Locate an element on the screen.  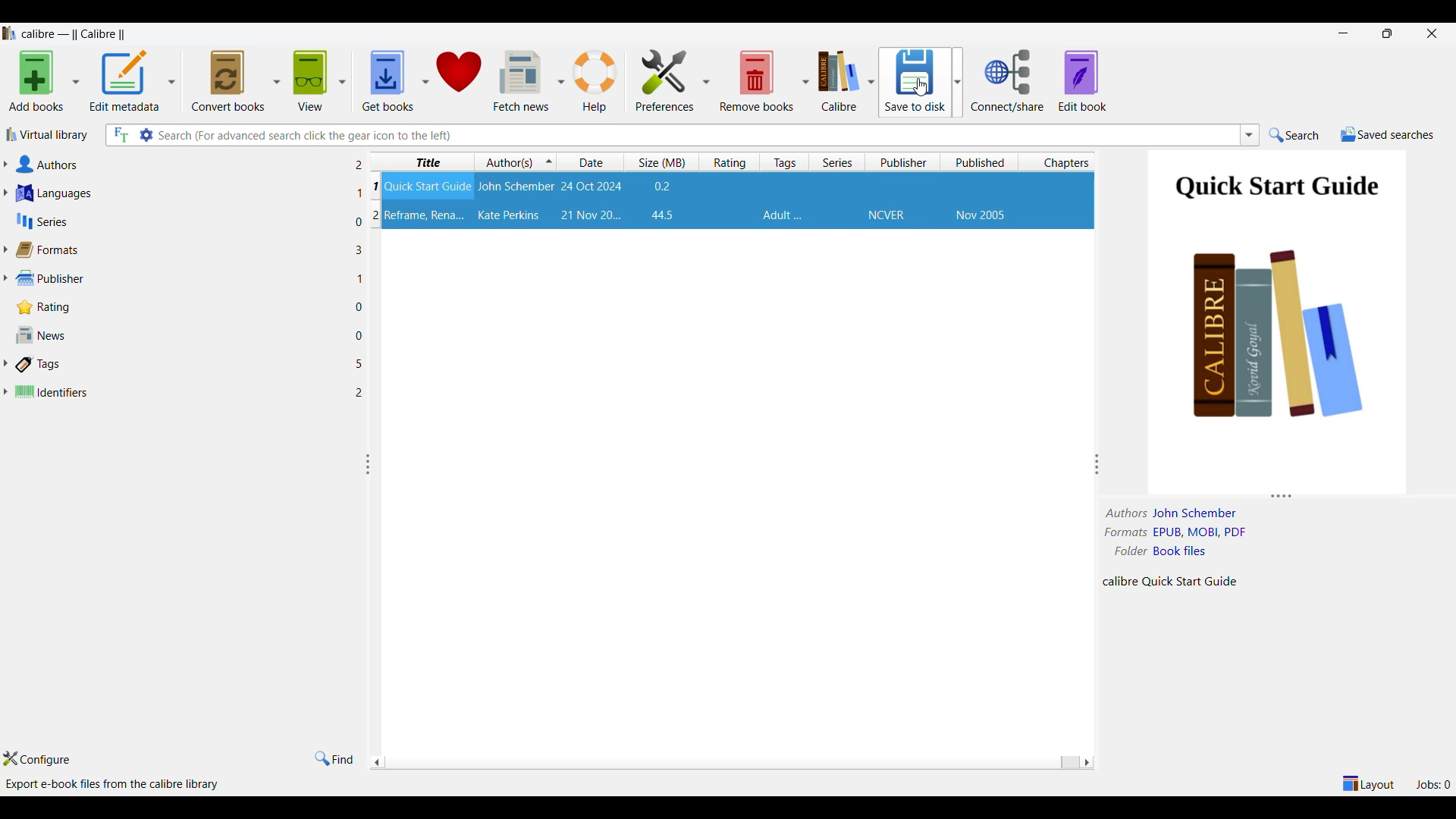
Advanced search is located at coordinates (146, 135).